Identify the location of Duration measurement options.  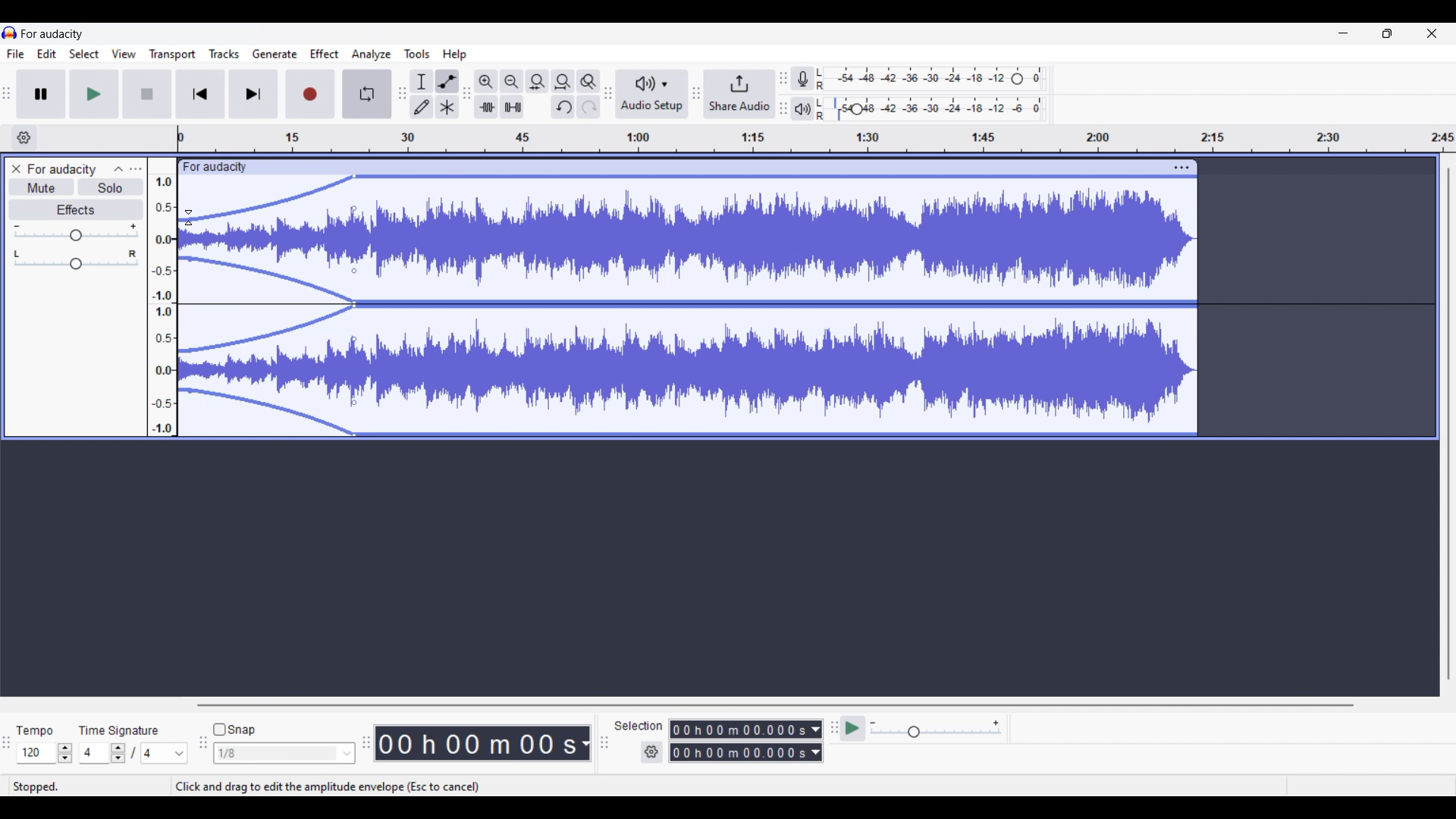
(585, 744).